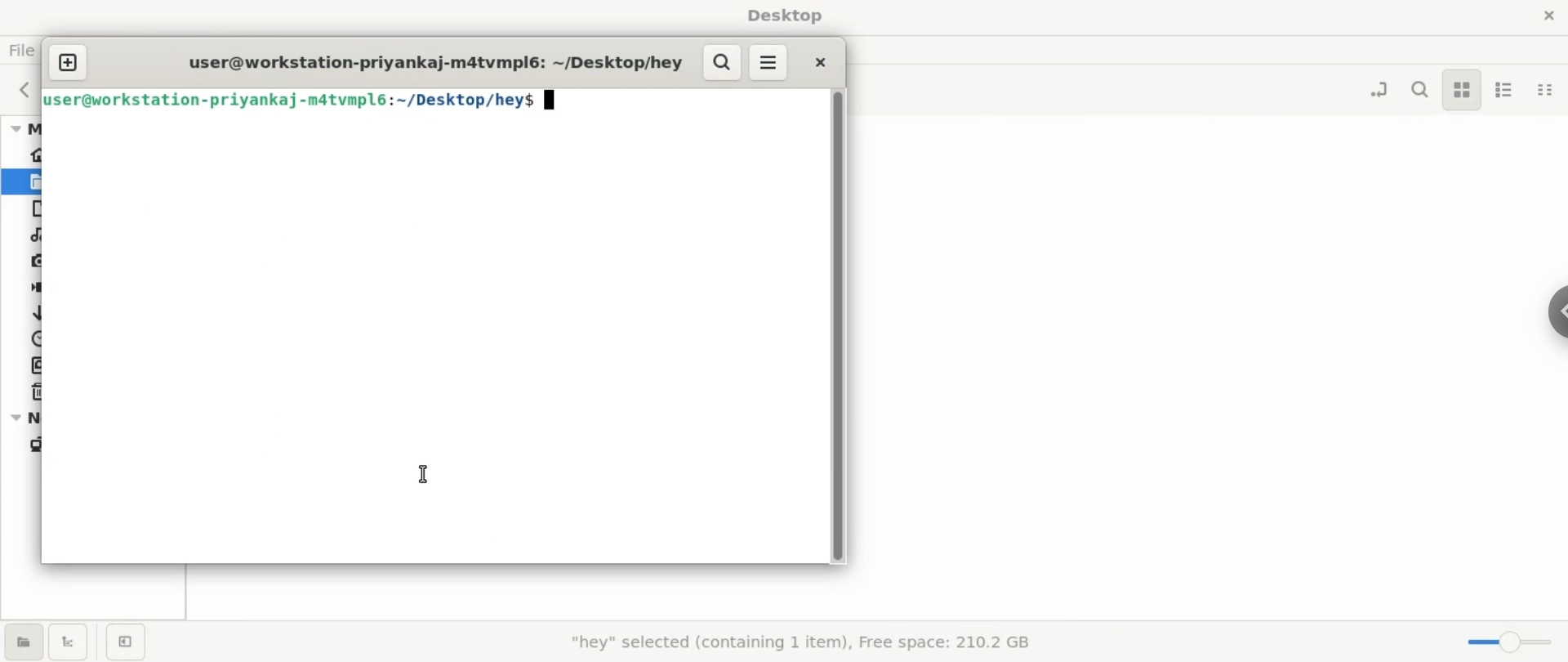  Describe the element at coordinates (723, 61) in the screenshot. I see `search` at that location.